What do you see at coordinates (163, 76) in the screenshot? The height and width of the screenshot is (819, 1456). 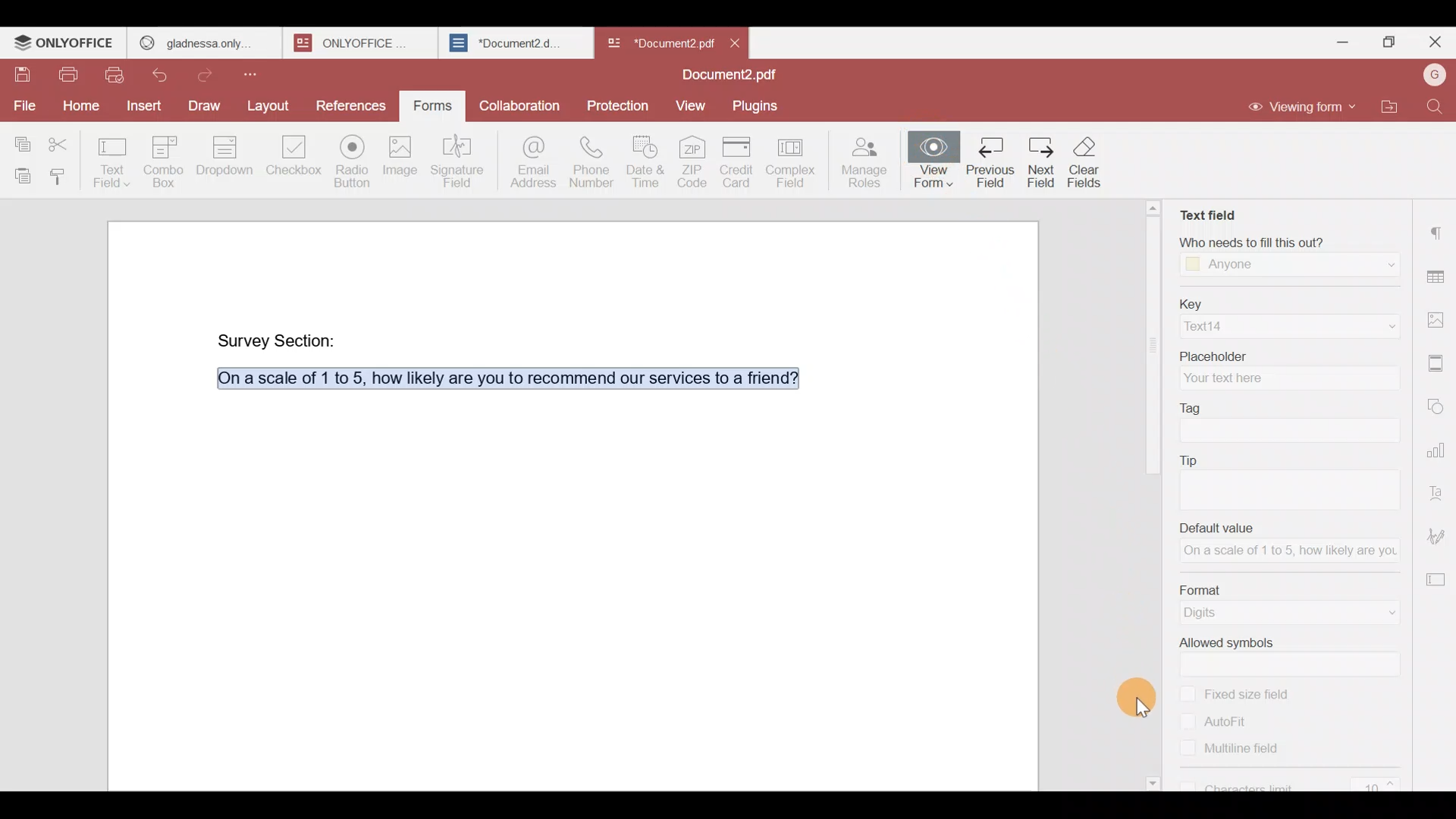 I see `Undo` at bounding box center [163, 76].